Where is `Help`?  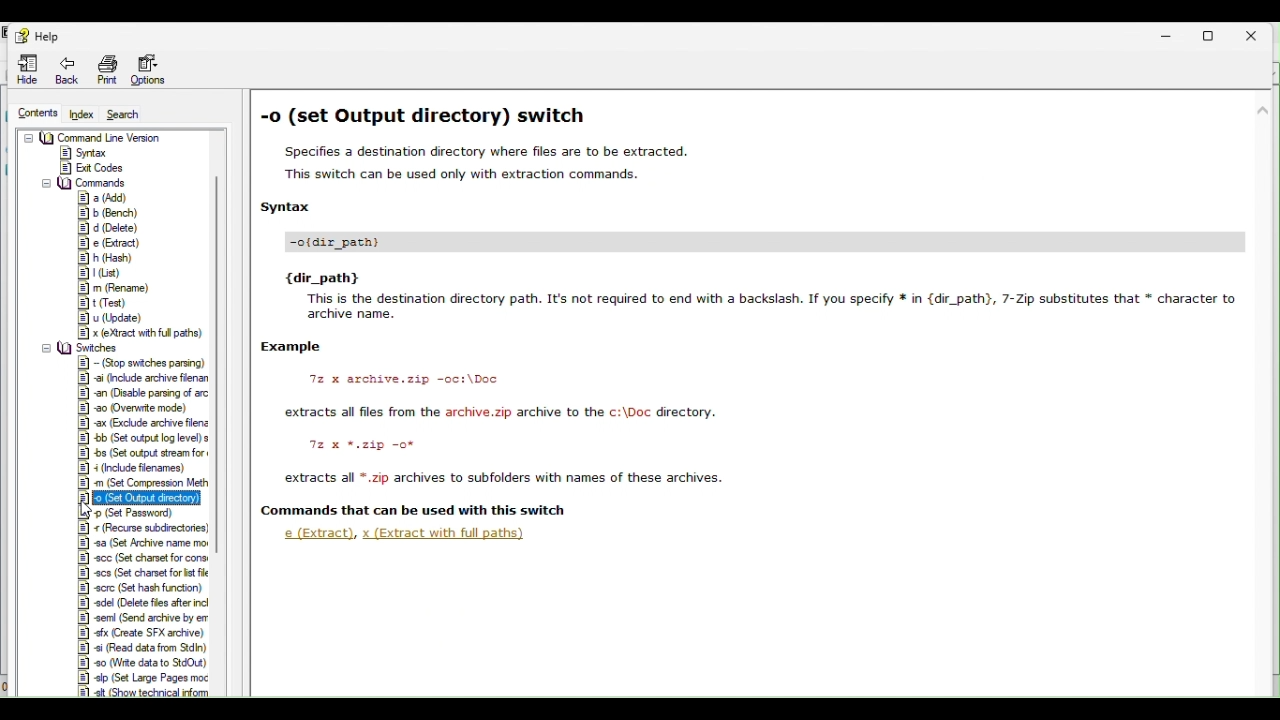
Help is located at coordinates (39, 33).